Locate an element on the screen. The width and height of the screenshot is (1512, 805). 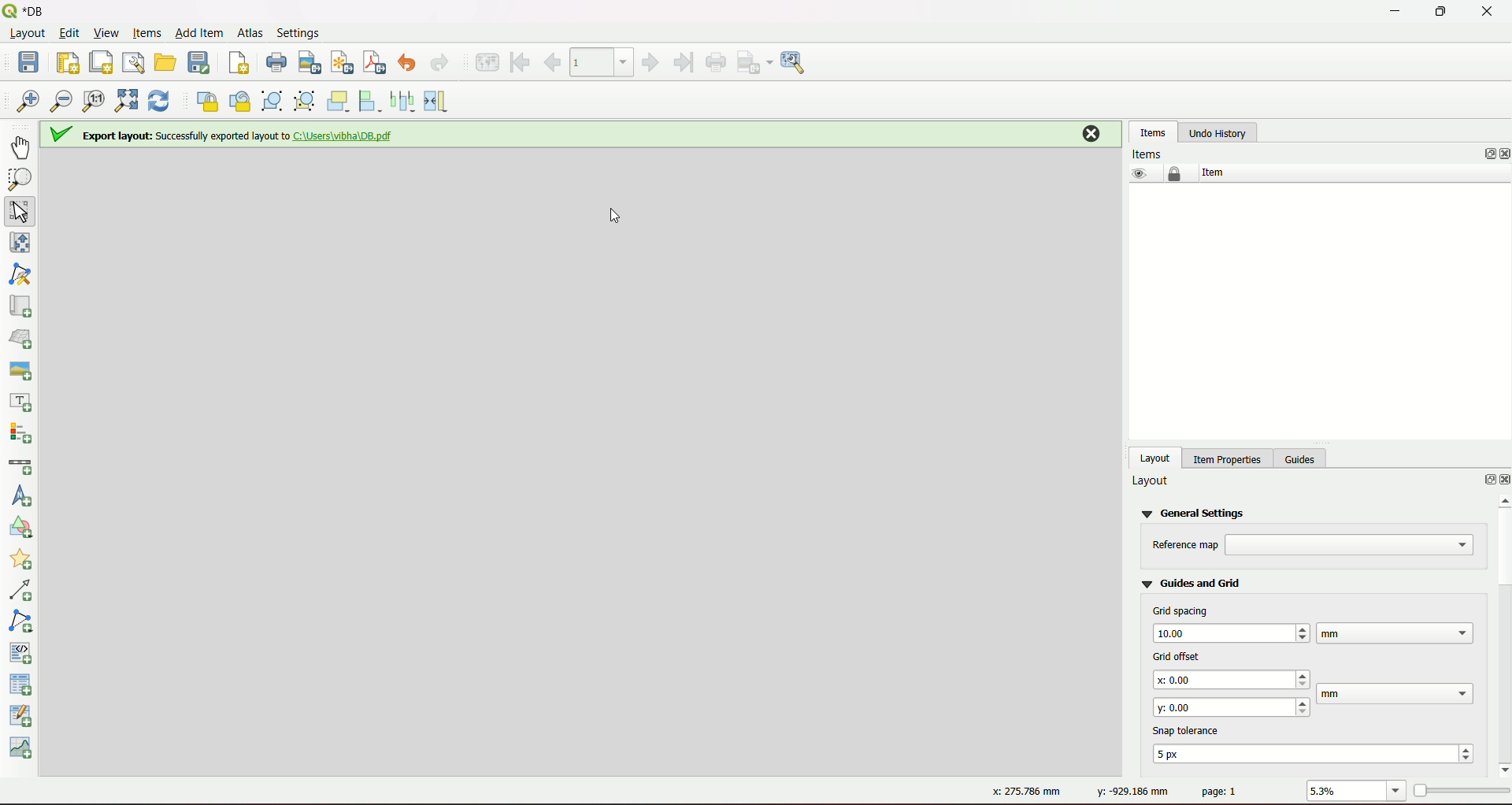
maximize is located at coordinates (1436, 12).